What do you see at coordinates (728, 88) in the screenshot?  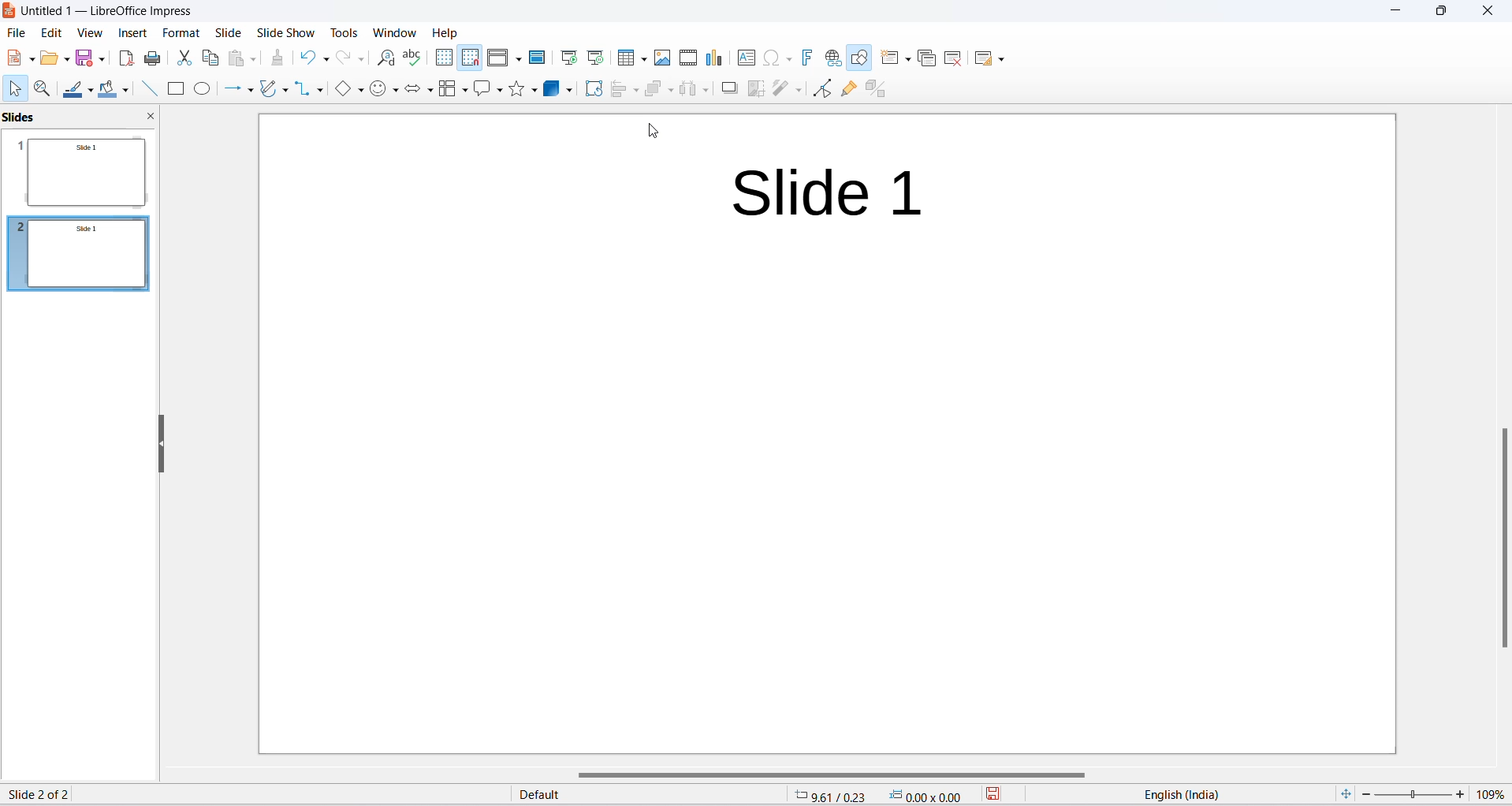 I see `Shadow` at bounding box center [728, 88].